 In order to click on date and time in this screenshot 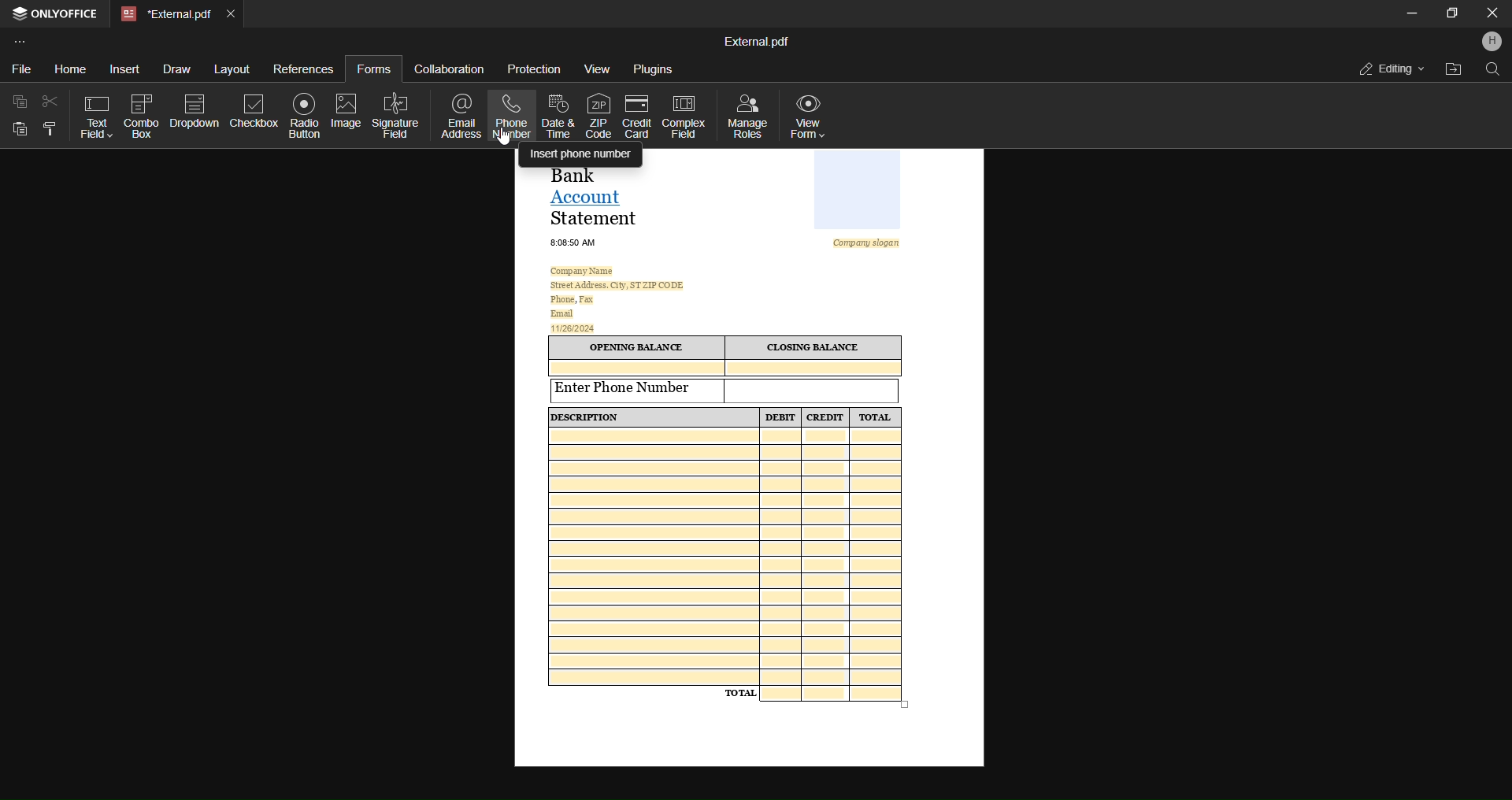, I will do `click(558, 115)`.